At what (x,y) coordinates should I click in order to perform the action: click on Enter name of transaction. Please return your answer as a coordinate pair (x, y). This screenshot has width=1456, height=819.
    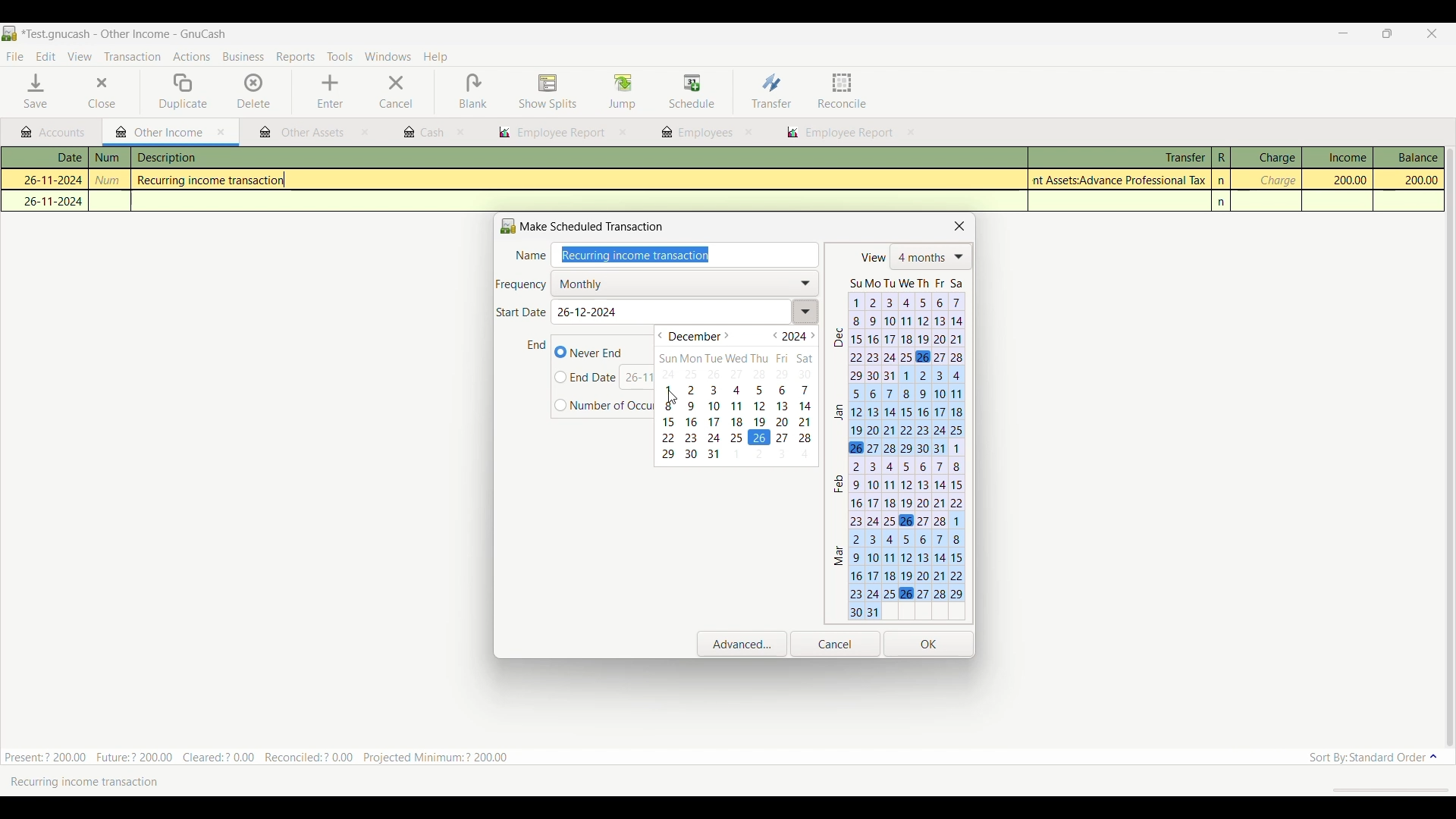
    Looking at the image, I should click on (689, 256).